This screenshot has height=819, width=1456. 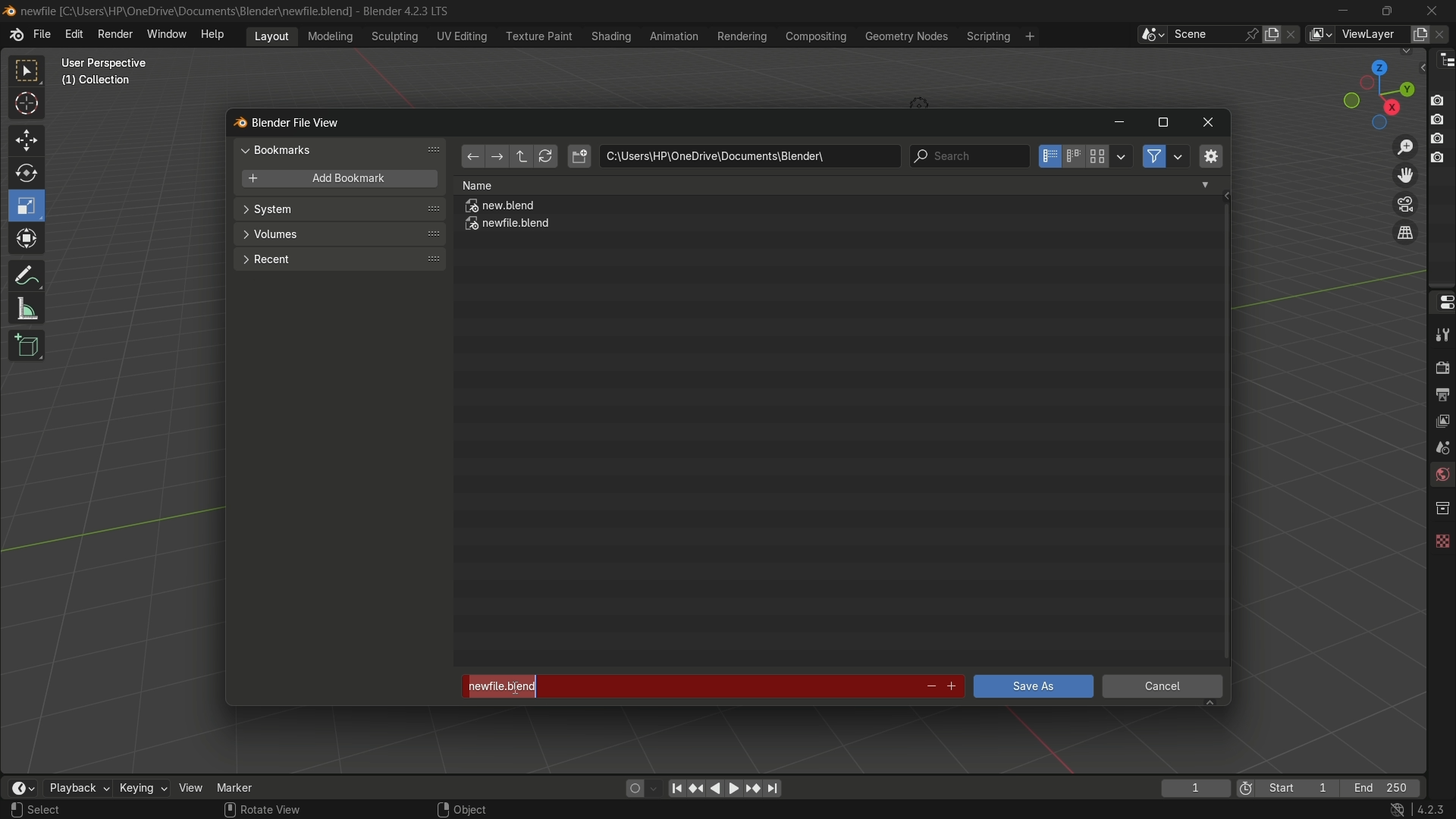 What do you see at coordinates (216, 34) in the screenshot?
I see `help menu` at bounding box center [216, 34].